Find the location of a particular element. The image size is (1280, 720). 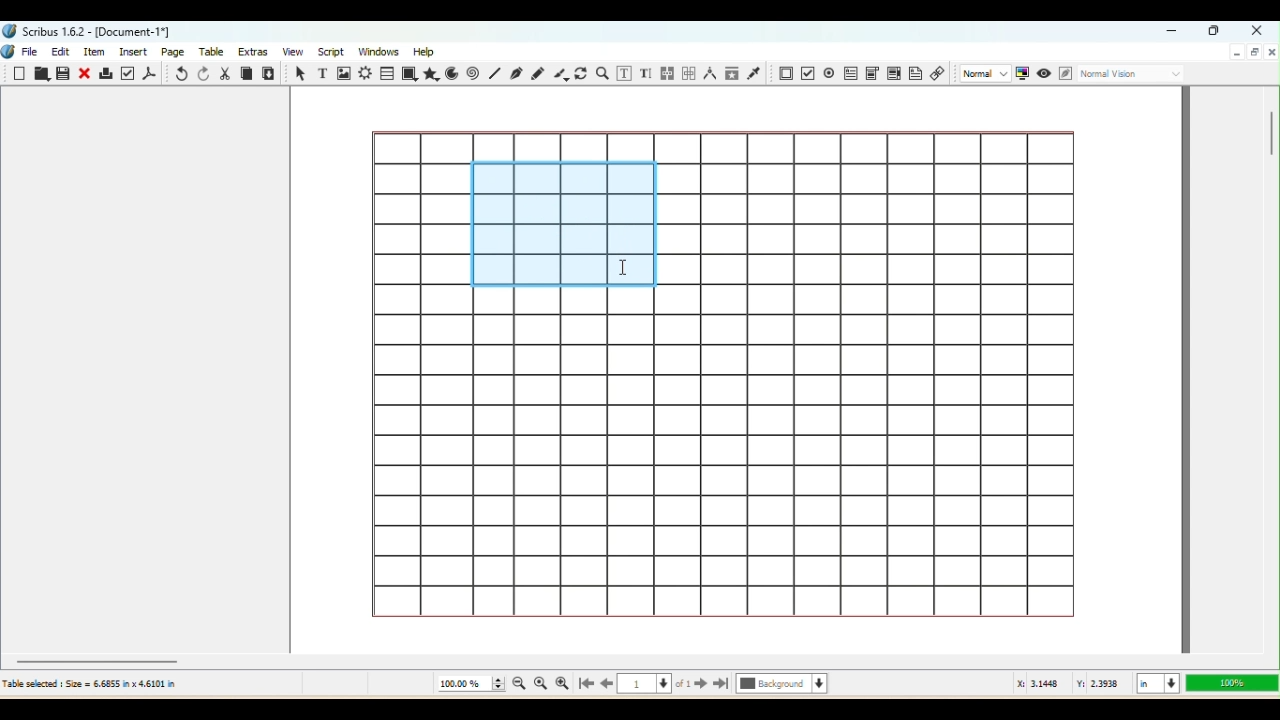

Minimize is located at coordinates (1236, 53).